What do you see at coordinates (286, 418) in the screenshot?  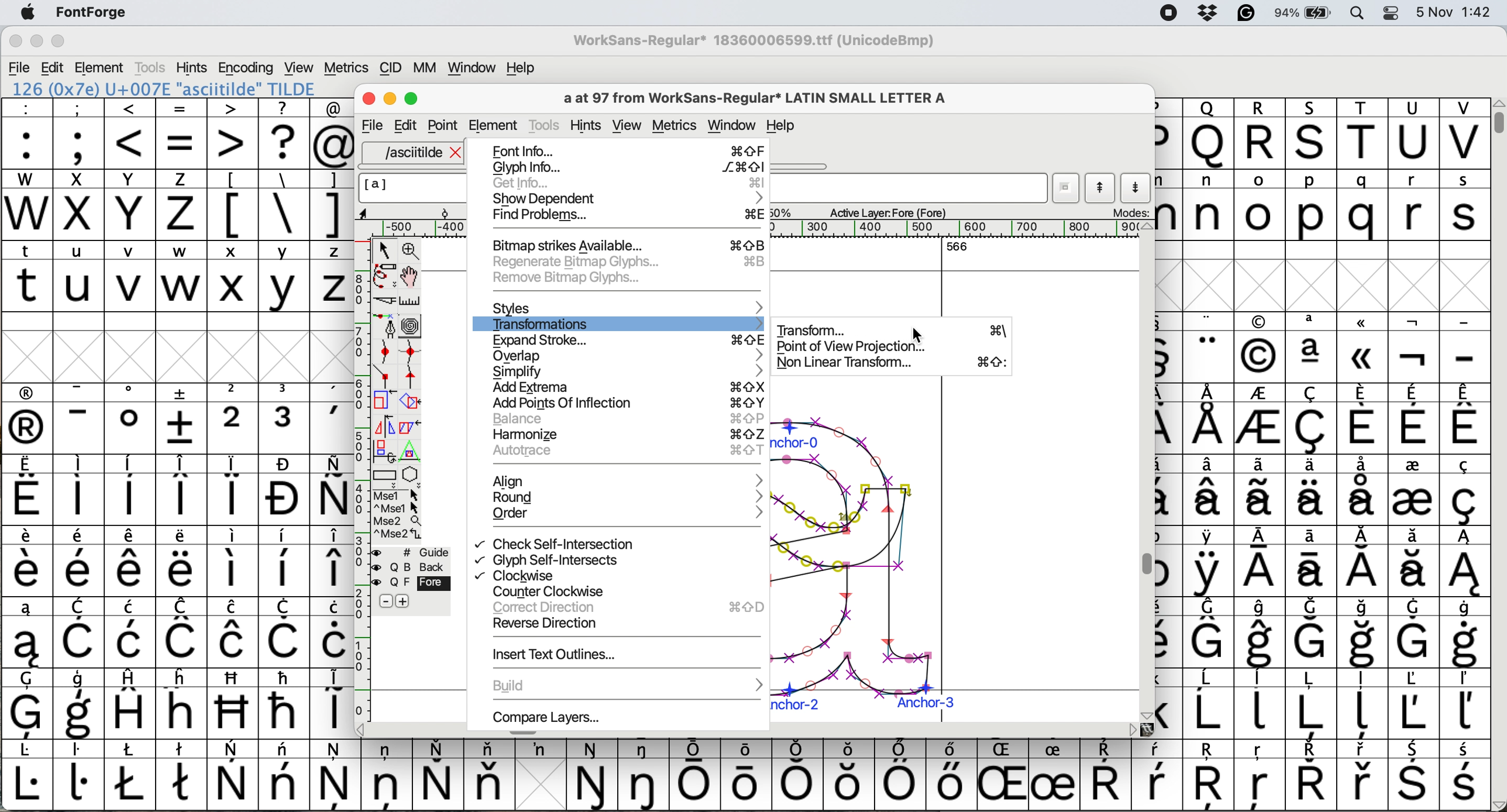 I see `symbol` at bounding box center [286, 418].